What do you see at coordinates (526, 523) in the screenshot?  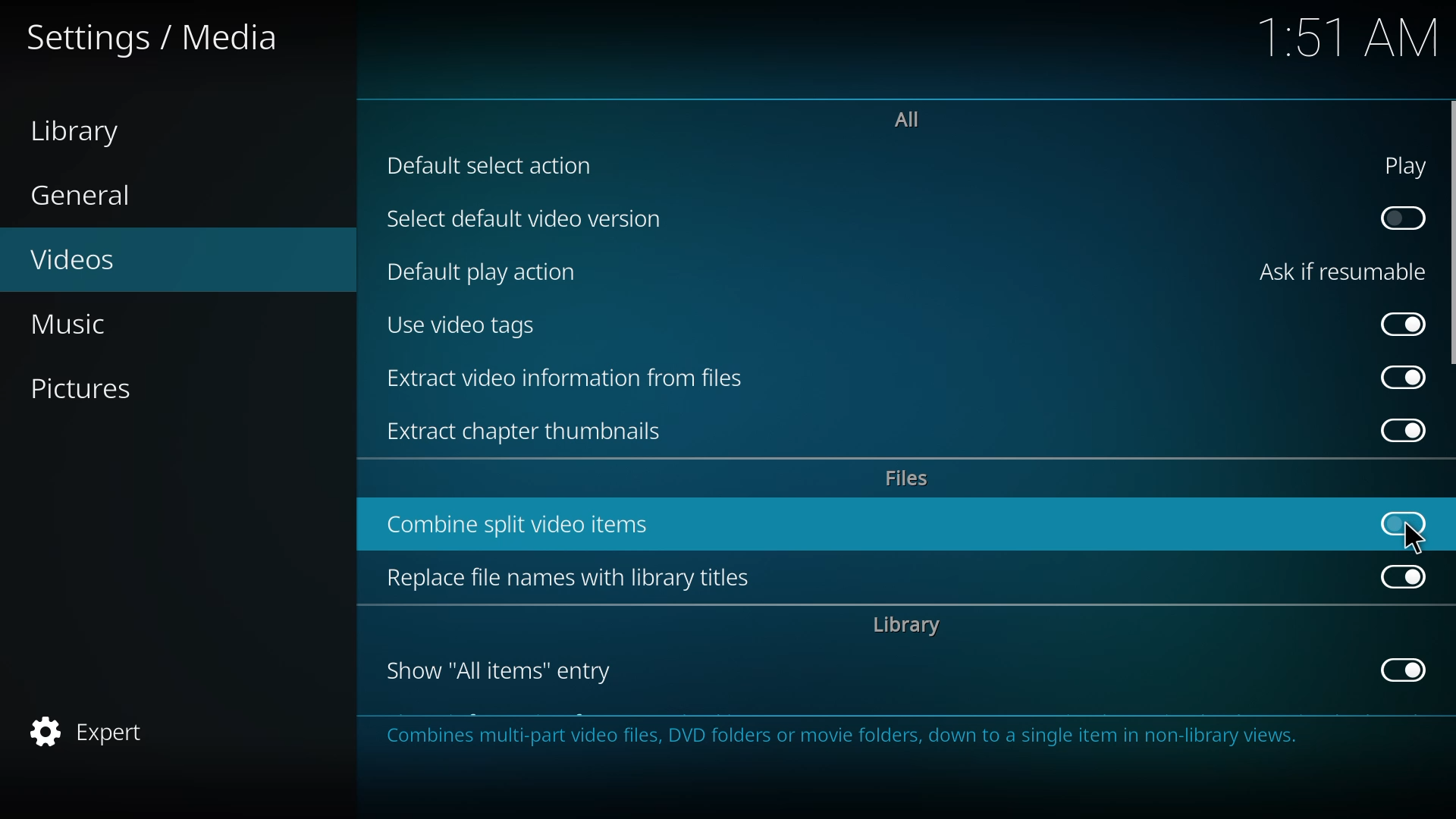 I see `combine split video items` at bounding box center [526, 523].